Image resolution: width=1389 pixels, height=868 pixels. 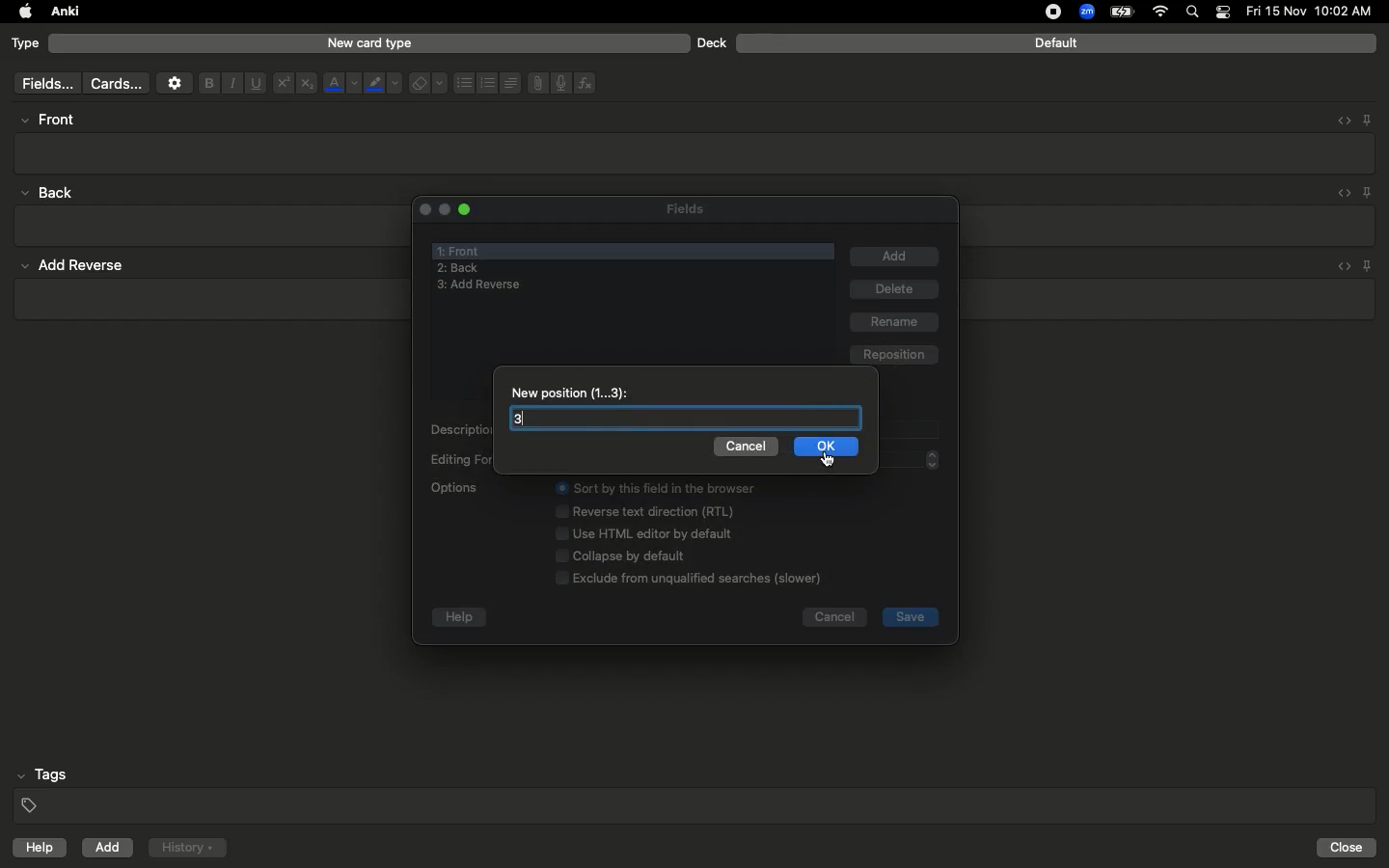 I want to click on Close, so click(x=1349, y=848).